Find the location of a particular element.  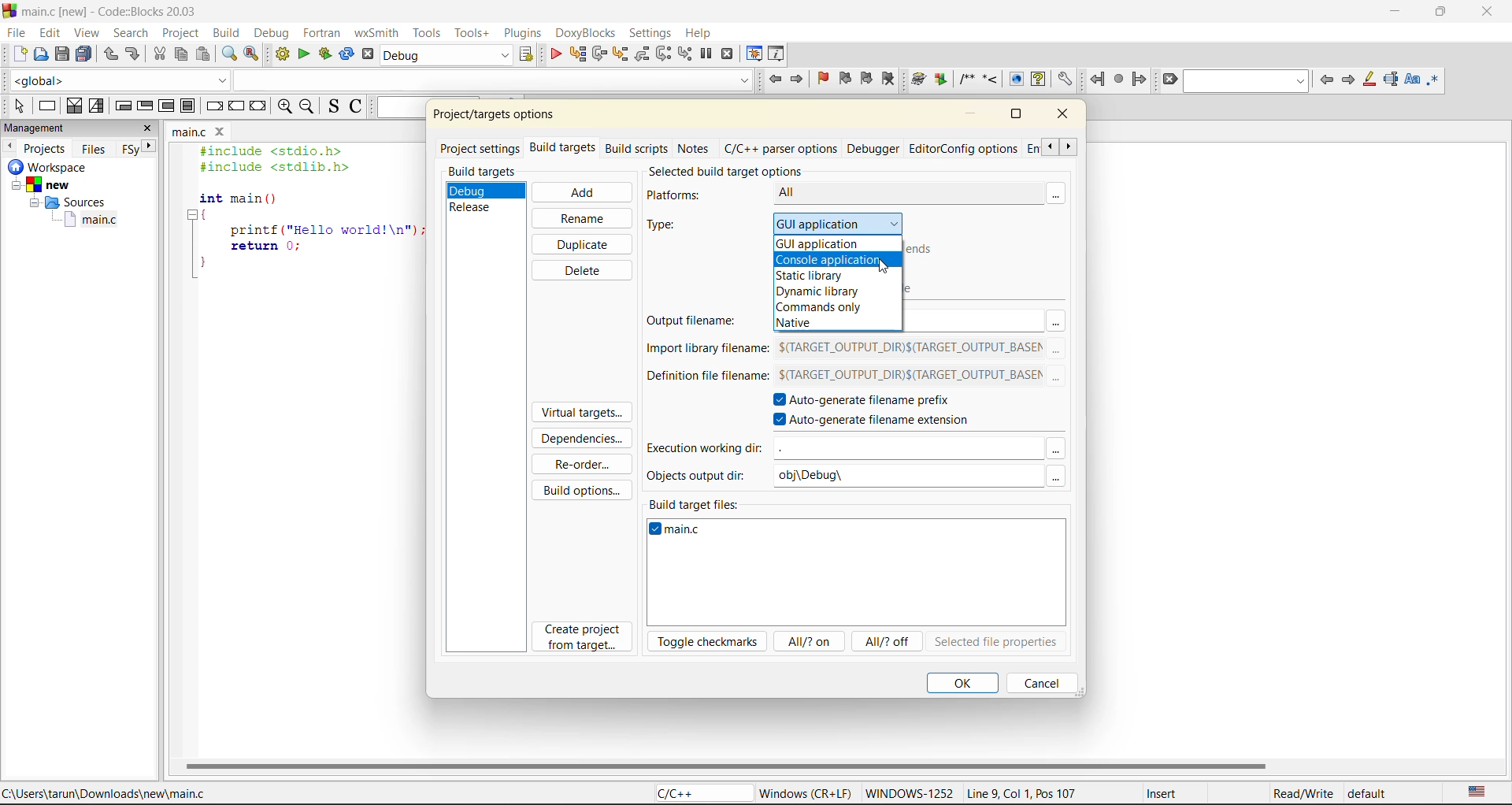

static library is located at coordinates (816, 276).